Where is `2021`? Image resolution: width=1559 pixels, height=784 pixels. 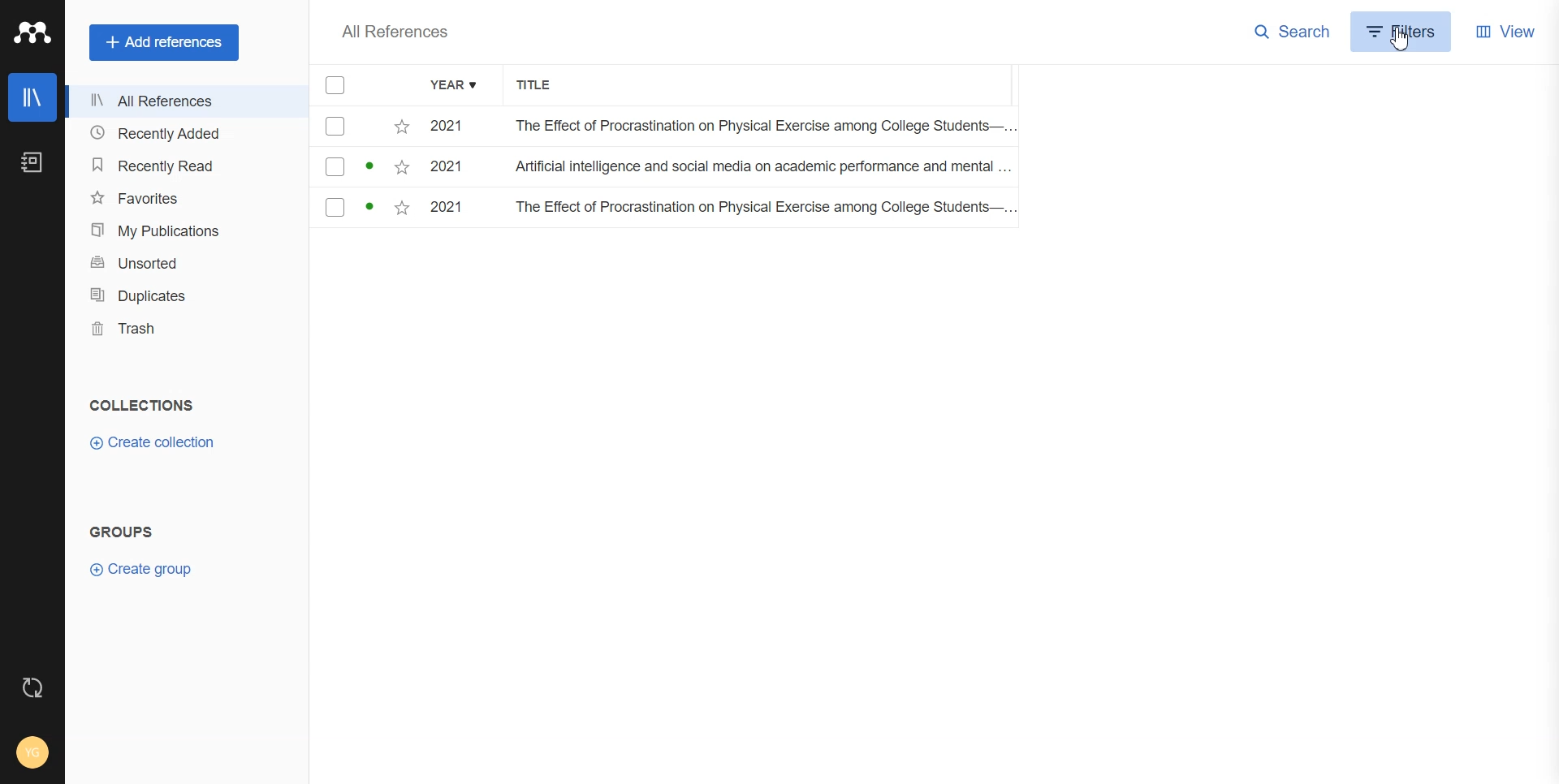
2021 is located at coordinates (452, 127).